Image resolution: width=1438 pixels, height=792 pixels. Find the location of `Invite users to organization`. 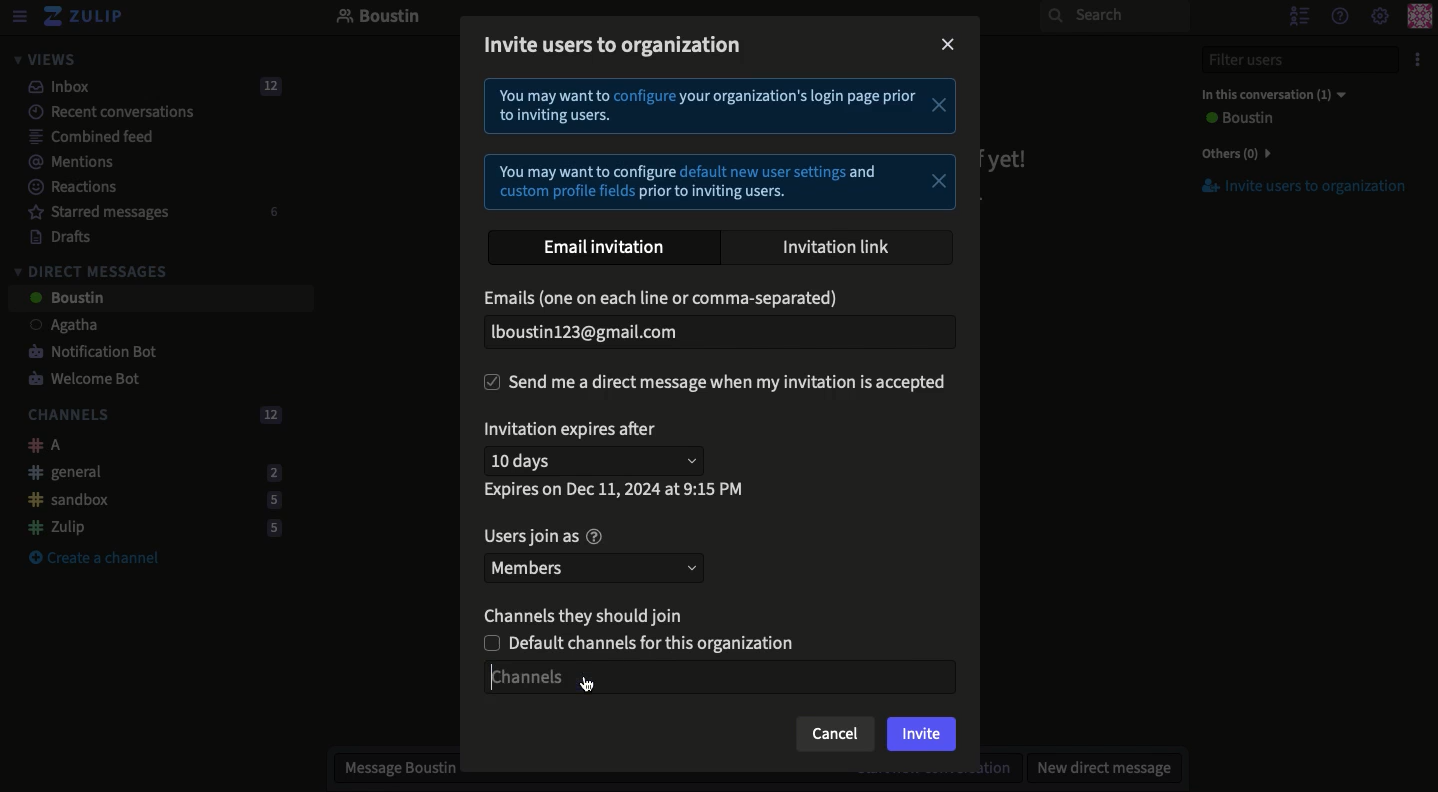

Invite users to organization is located at coordinates (618, 44).